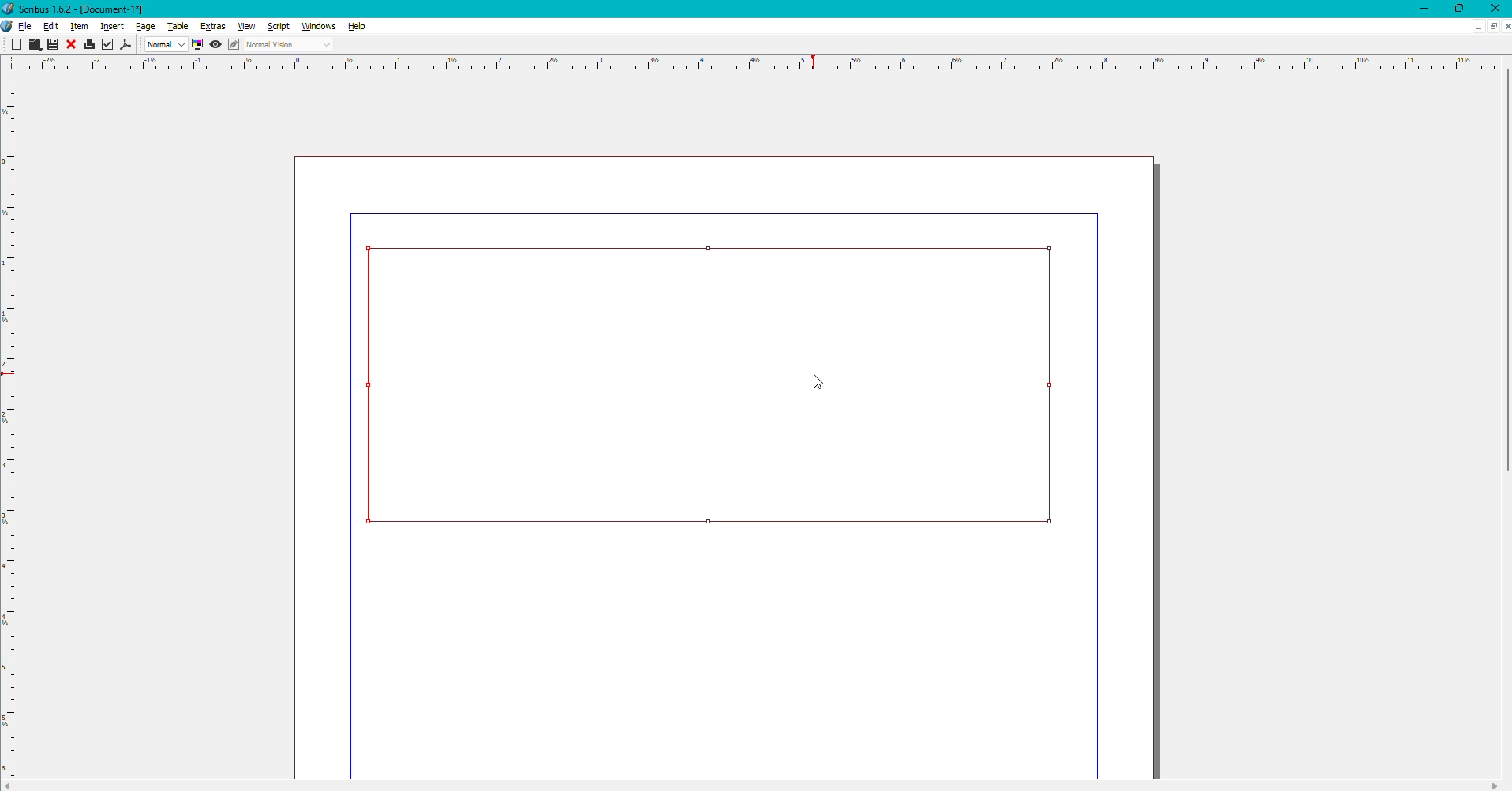 The width and height of the screenshot is (1512, 791). I want to click on scale, so click(10, 418).